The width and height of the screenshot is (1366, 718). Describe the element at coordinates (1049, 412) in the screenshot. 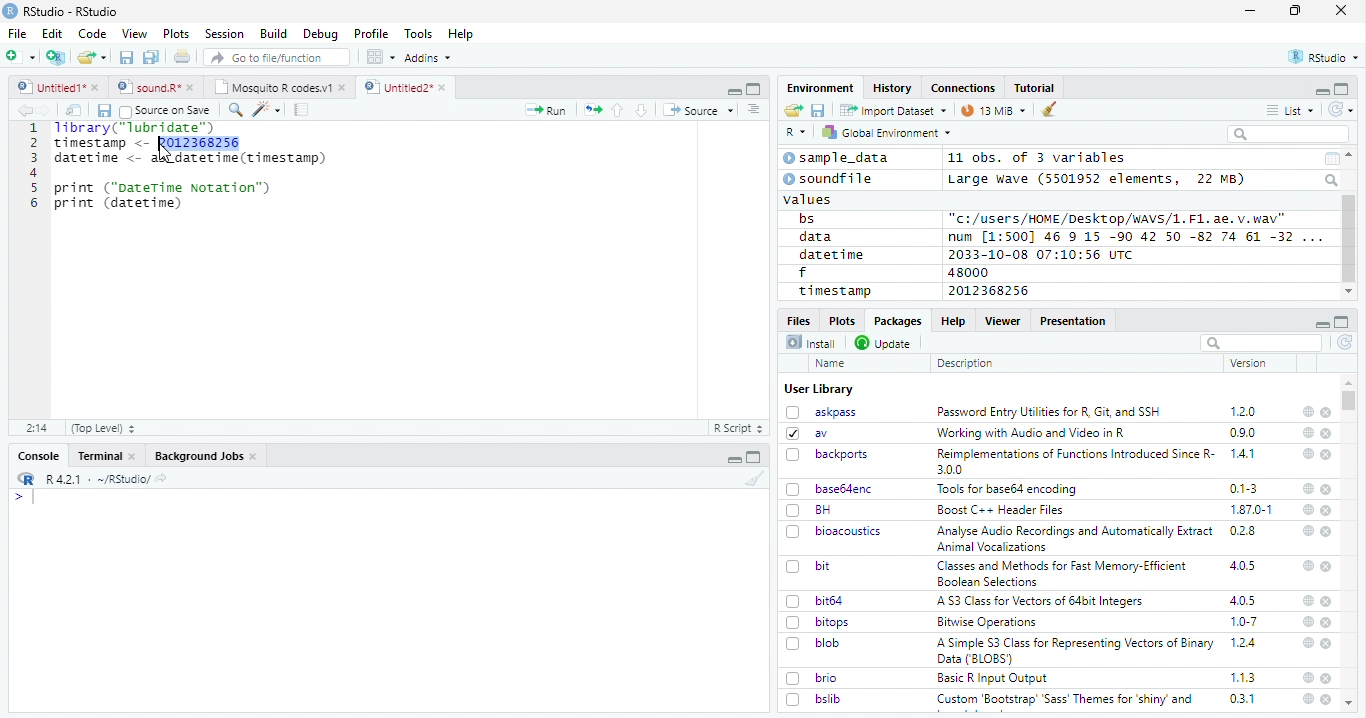

I see `Password Entry Utilities for R, Git, and SSH` at that location.